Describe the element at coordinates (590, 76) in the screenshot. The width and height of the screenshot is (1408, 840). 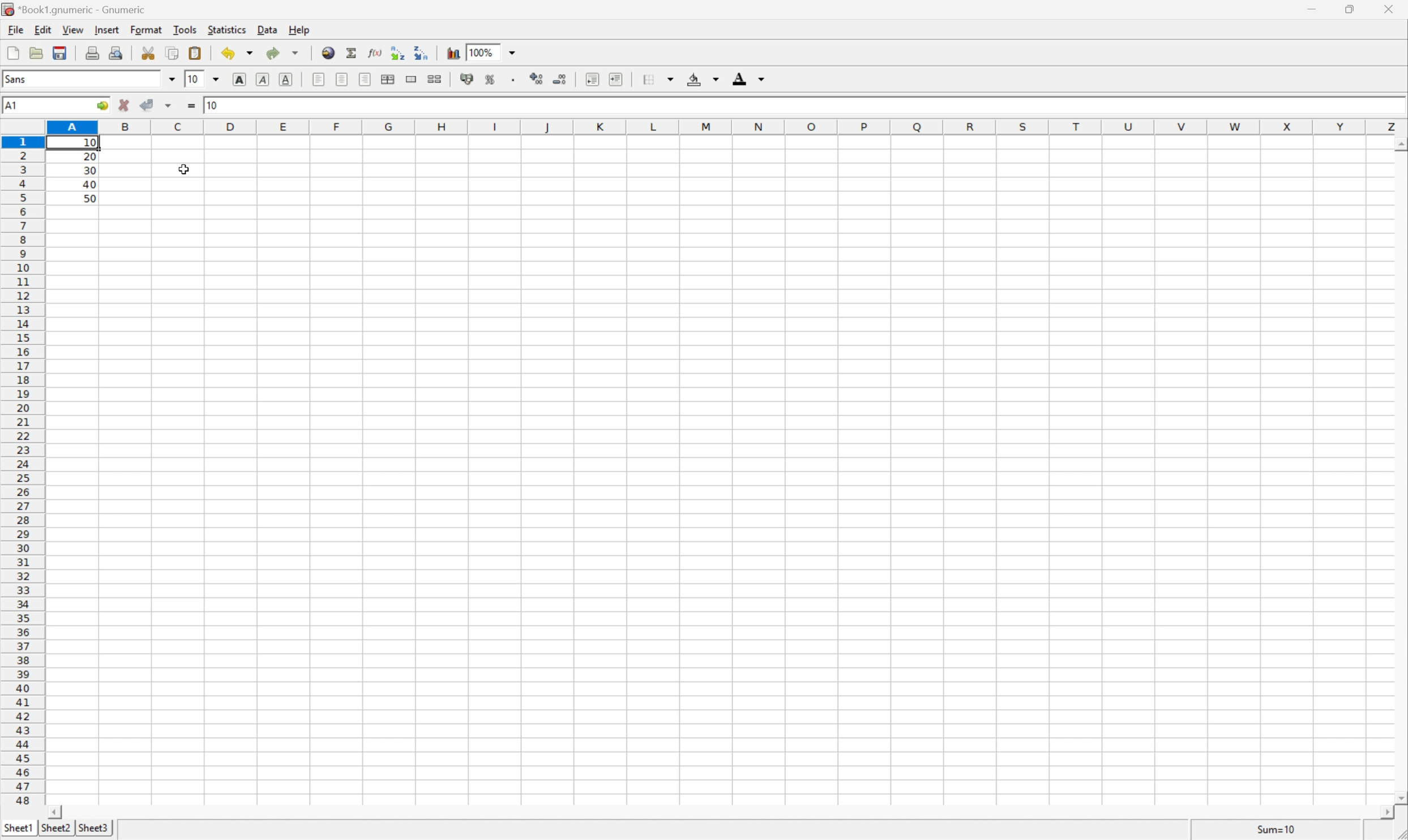
I see `Decrease the indent, and align the contents to the left` at that location.